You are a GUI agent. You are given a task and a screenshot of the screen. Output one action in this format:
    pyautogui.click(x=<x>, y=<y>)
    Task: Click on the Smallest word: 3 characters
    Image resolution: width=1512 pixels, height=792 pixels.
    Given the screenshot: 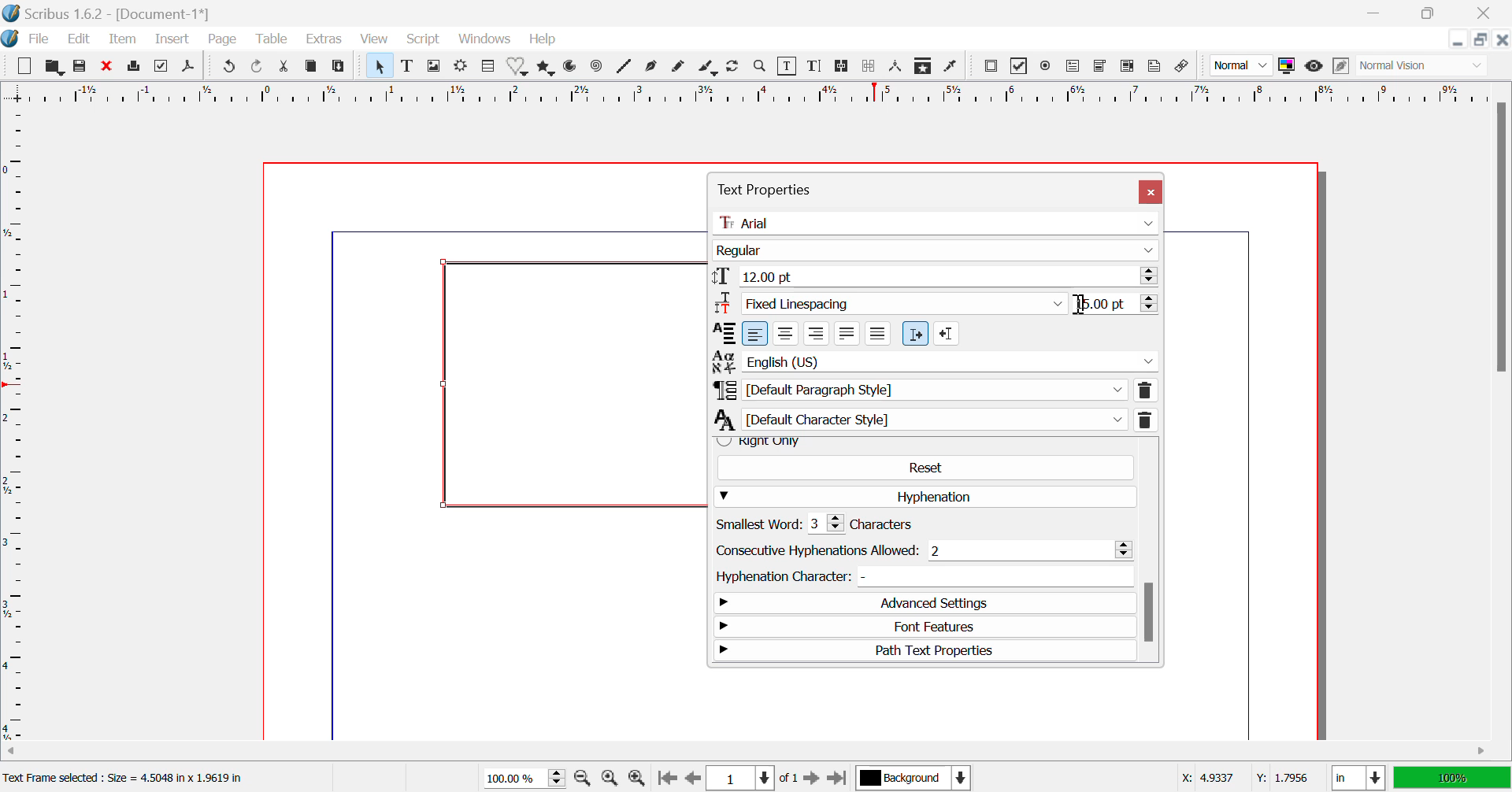 What is the action you would take?
    pyautogui.click(x=832, y=524)
    